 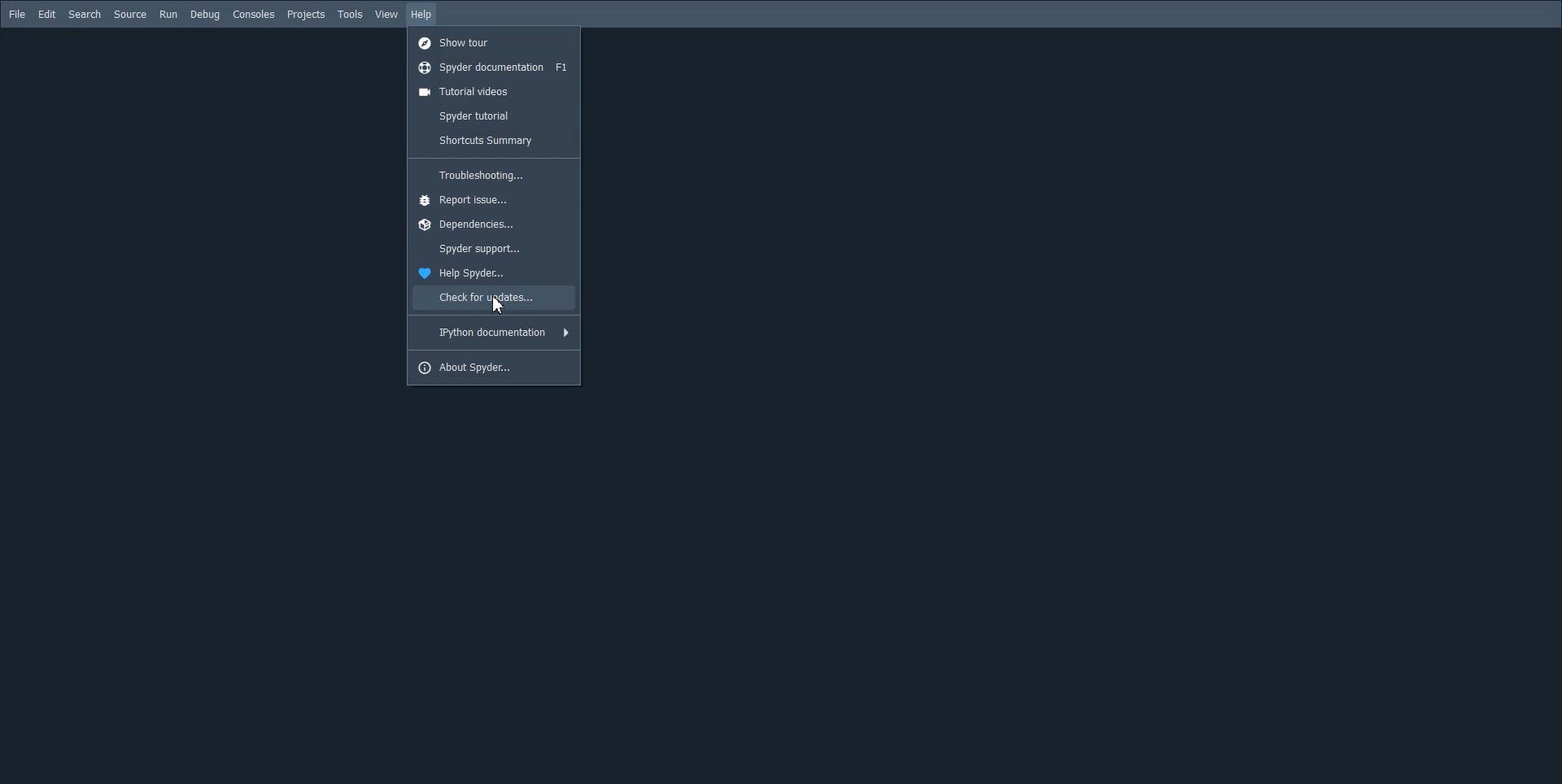 What do you see at coordinates (387, 14) in the screenshot?
I see `View` at bounding box center [387, 14].